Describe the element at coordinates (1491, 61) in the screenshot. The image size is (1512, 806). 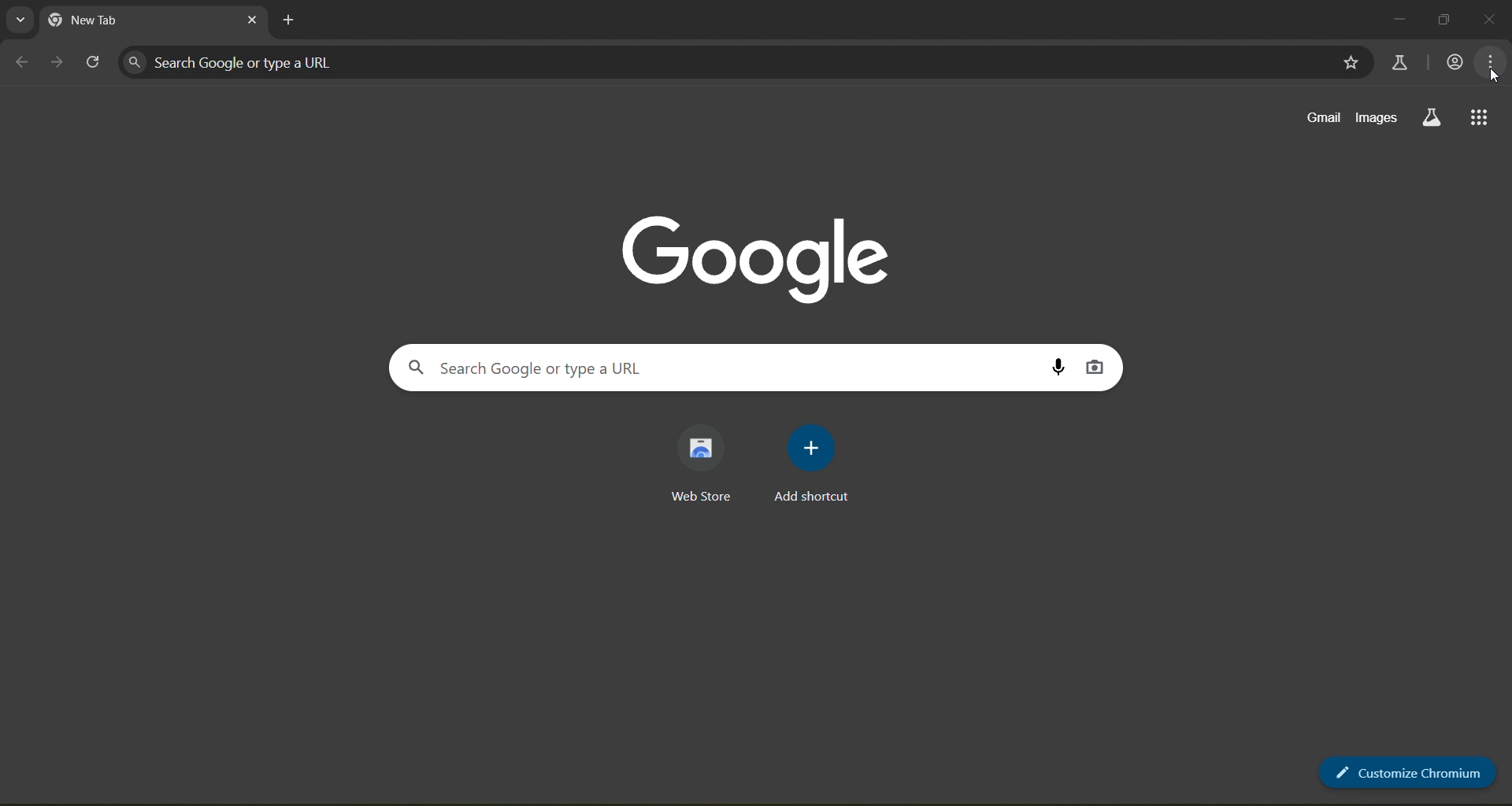
I see `menu` at that location.